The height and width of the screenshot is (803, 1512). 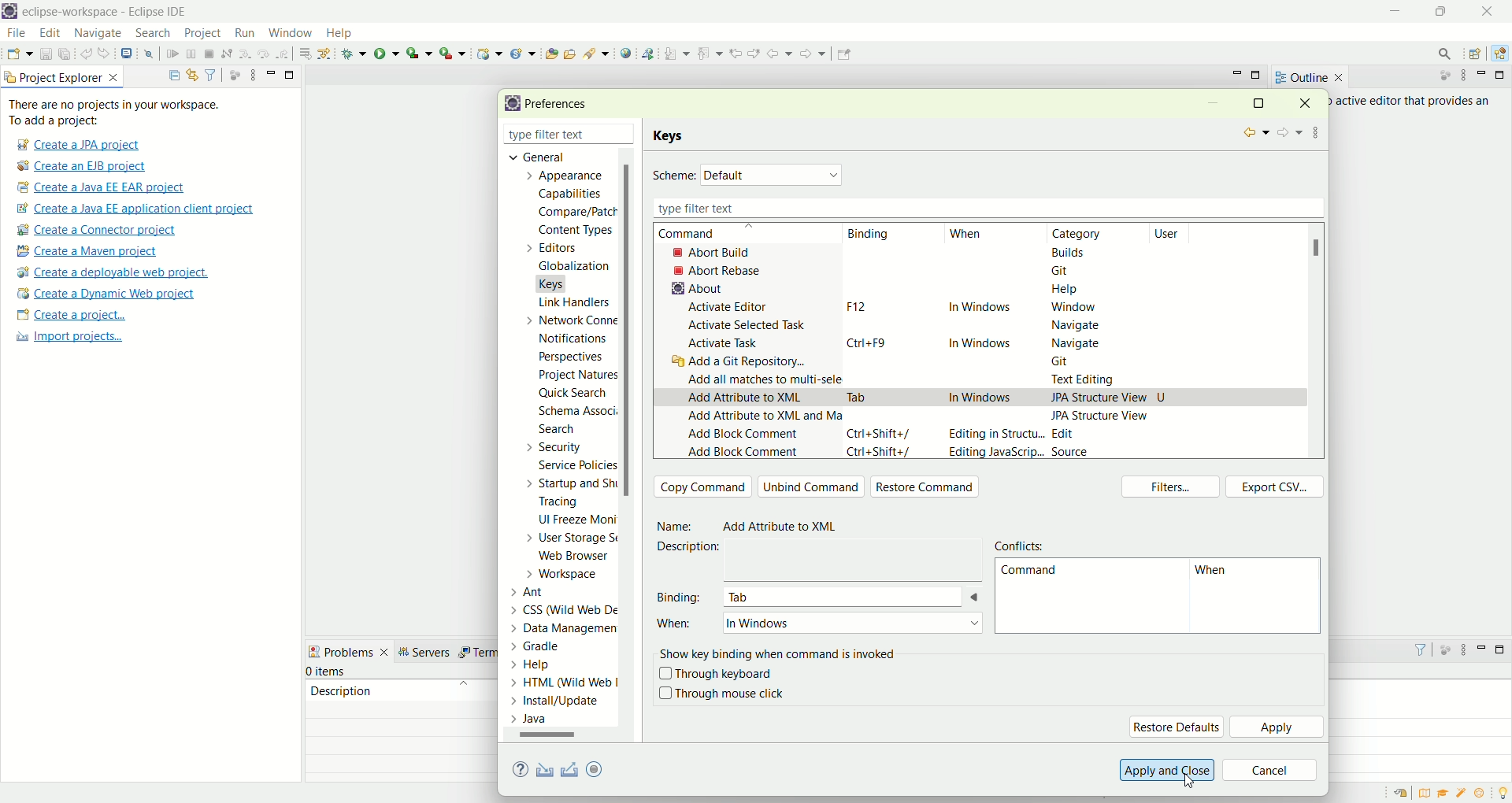 What do you see at coordinates (1503, 75) in the screenshot?
I see `maximize` at bounding box center [1503, 75].